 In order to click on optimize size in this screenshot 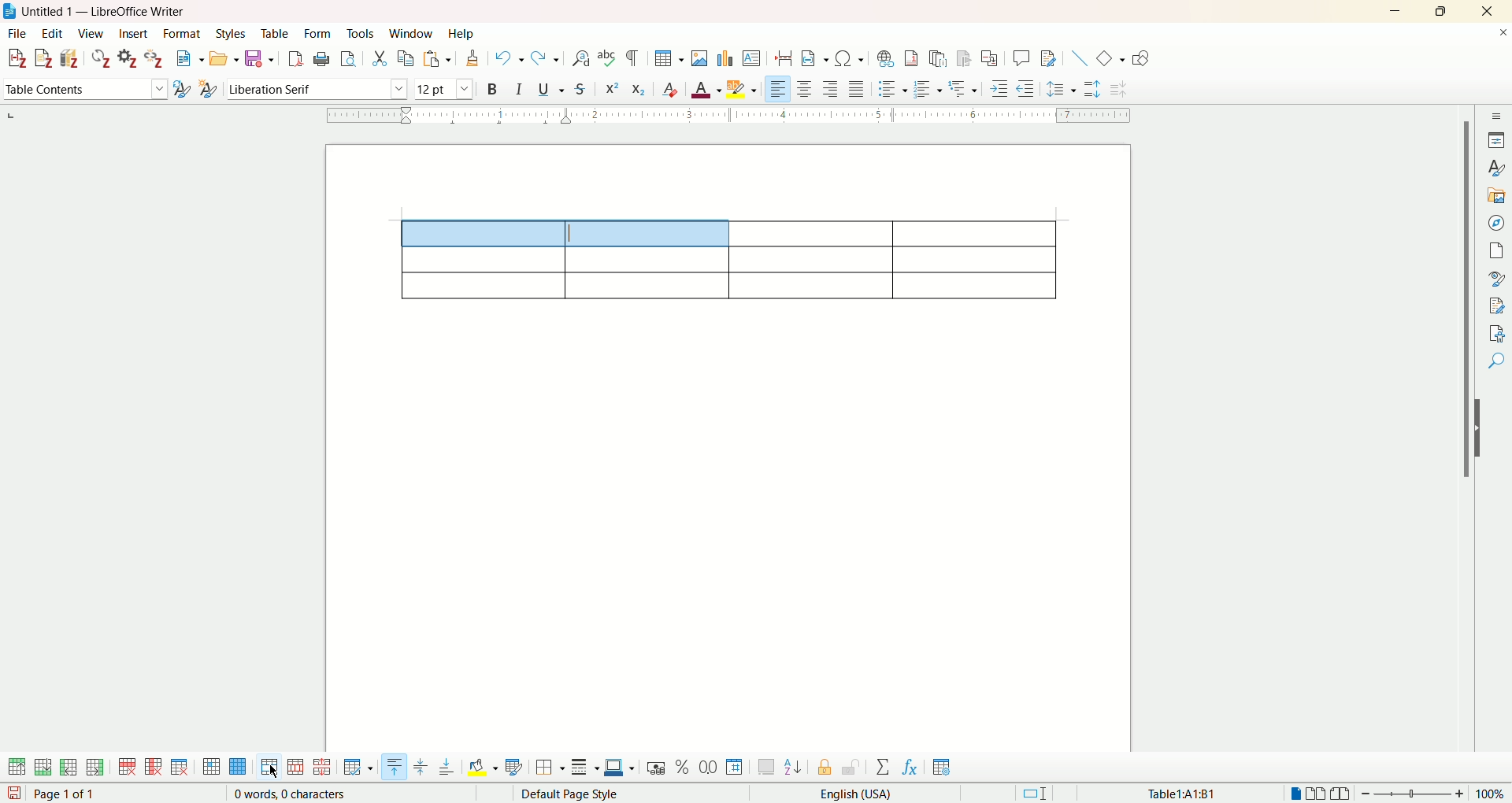, I will do `click(361, 766)`.